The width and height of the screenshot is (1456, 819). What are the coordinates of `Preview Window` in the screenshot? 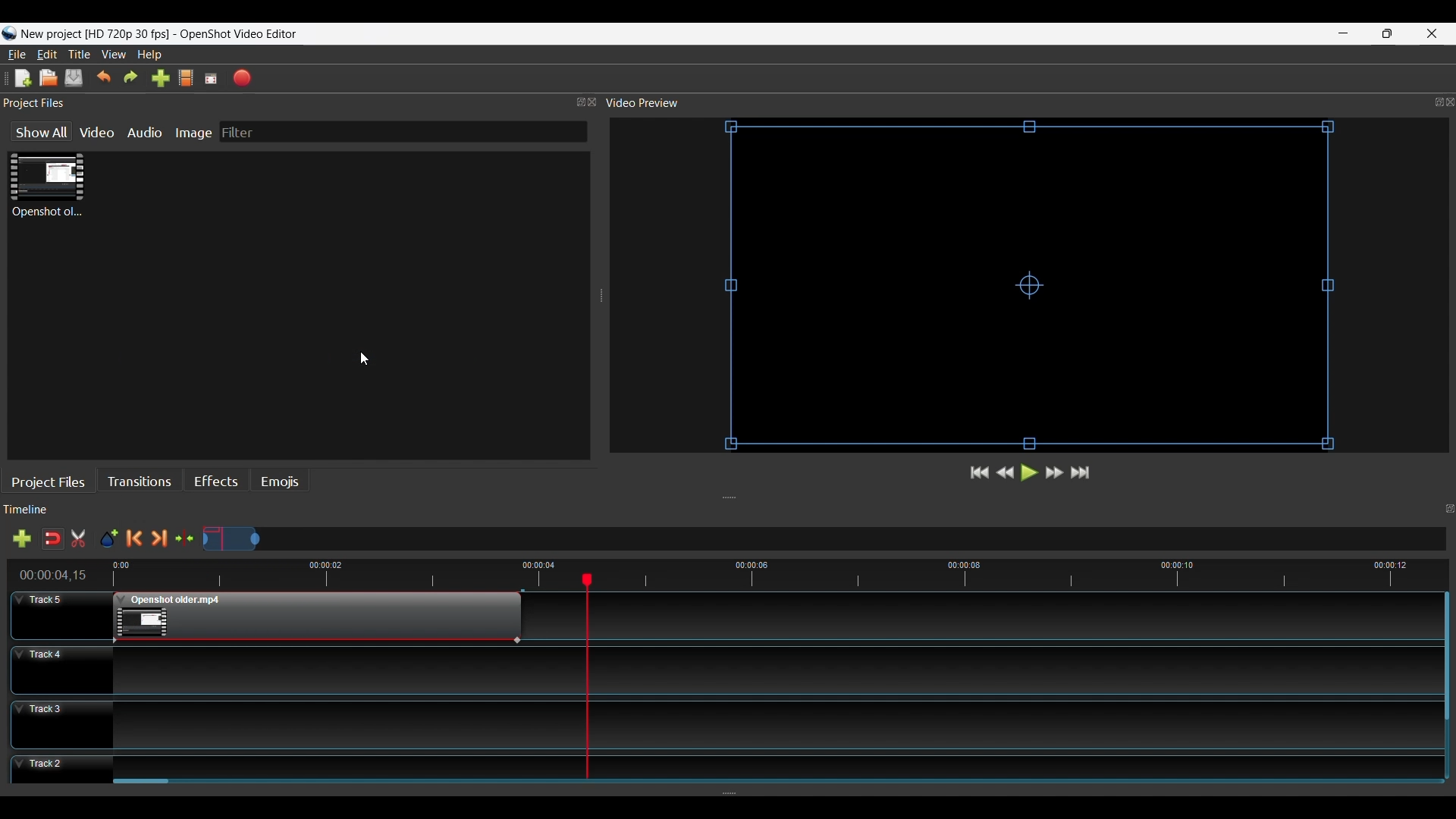 It's located at (1034, 287).